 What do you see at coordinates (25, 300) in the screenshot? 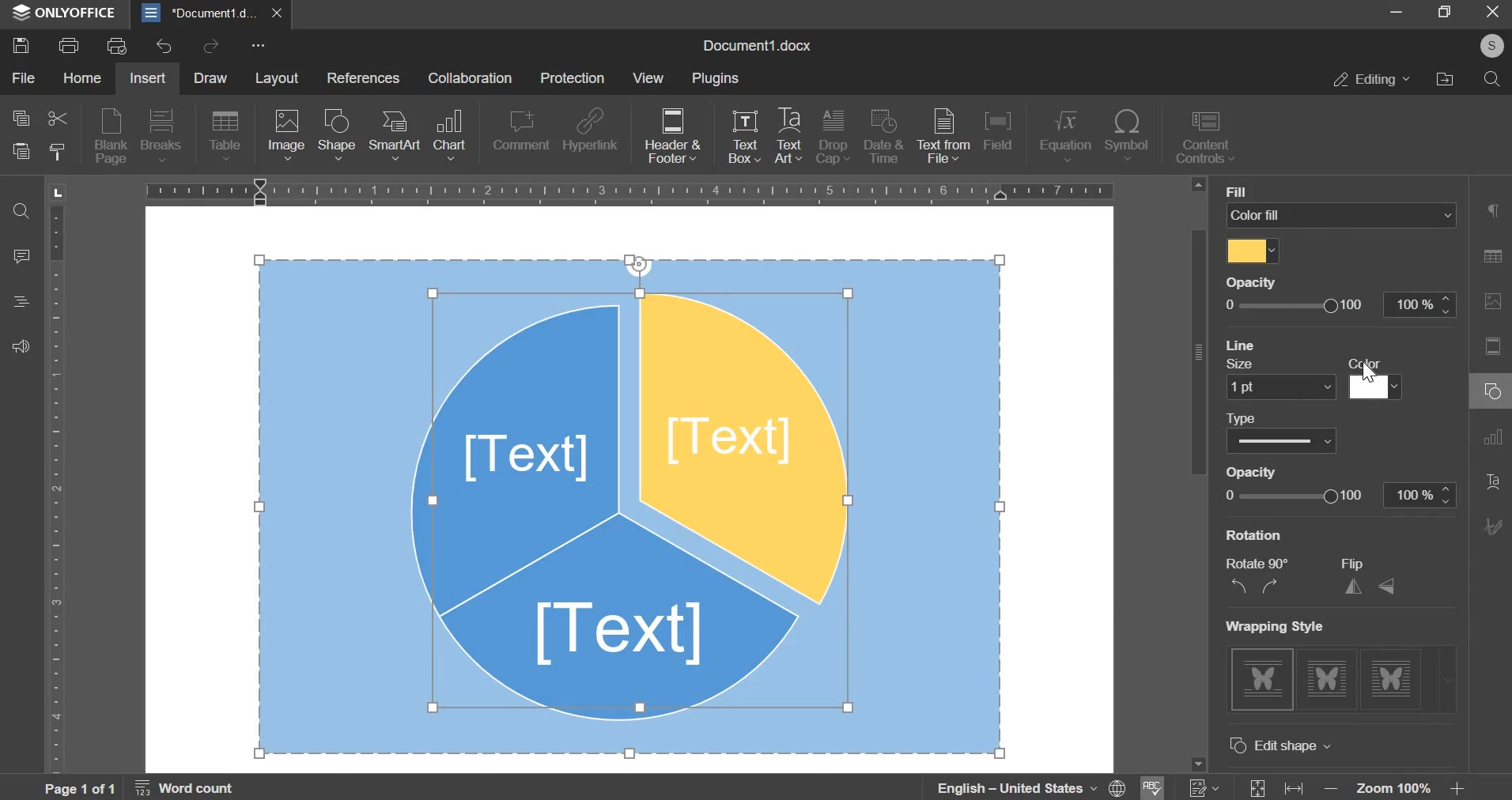
I see `Heading panel` at bounding box center [25, 300].